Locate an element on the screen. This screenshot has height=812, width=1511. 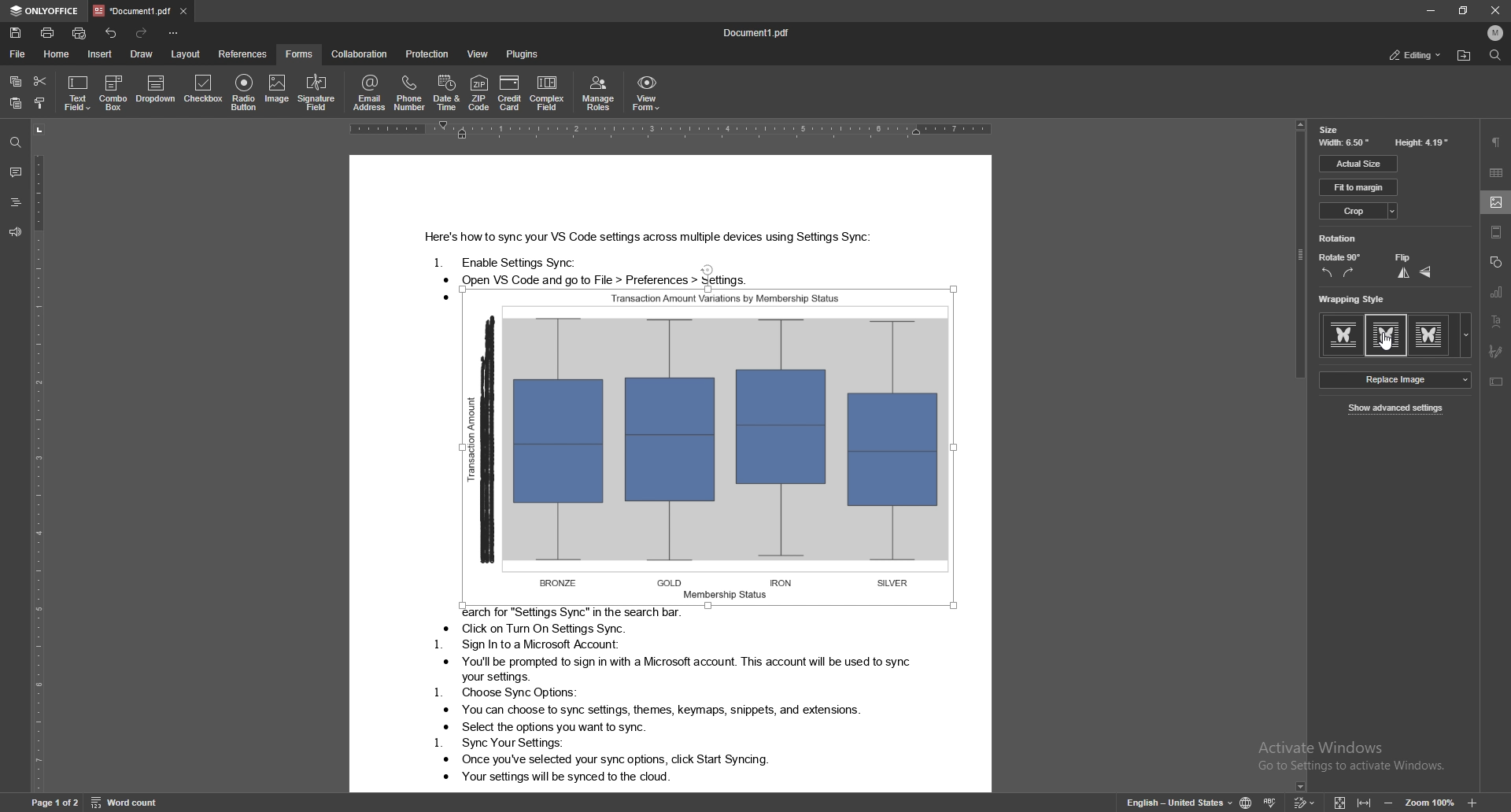
close tab is located at coordinates (184, 10).